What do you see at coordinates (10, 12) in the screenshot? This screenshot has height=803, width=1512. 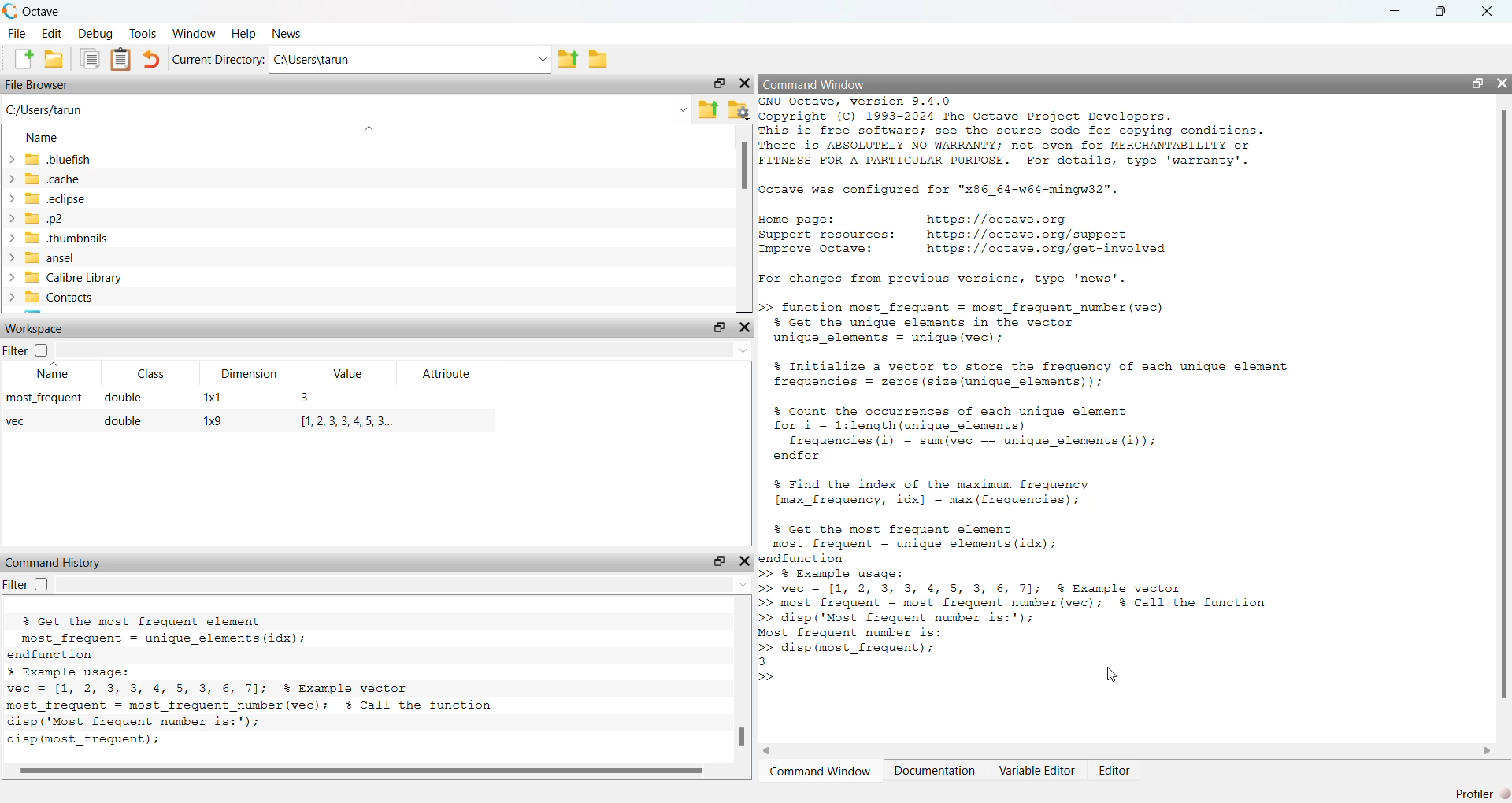 I see `Octave logo` at bounding box center [10, 12].